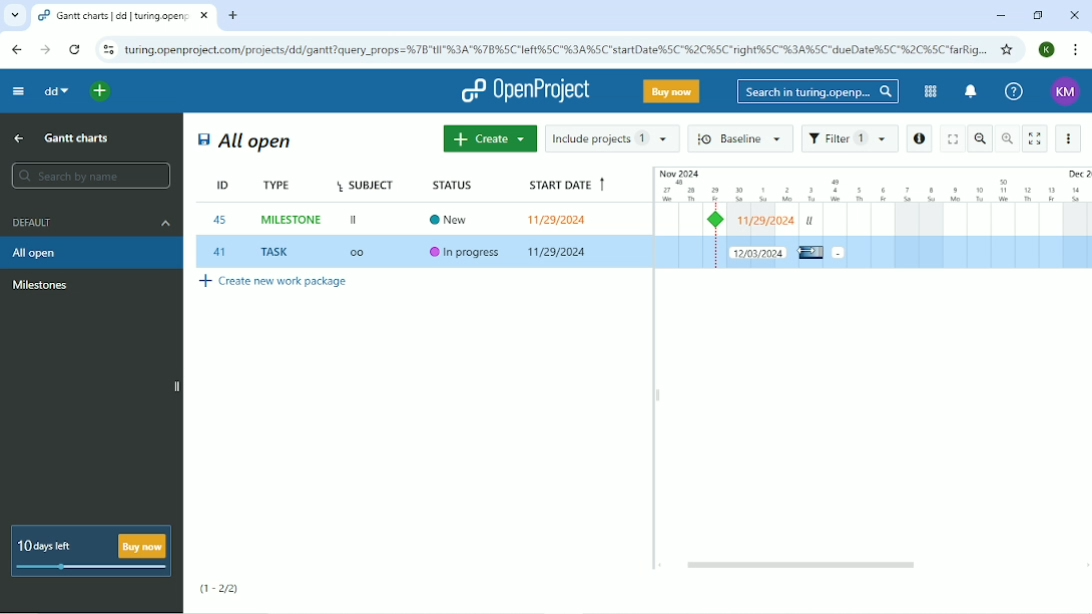  I want to click on Site, so click(557, 49).